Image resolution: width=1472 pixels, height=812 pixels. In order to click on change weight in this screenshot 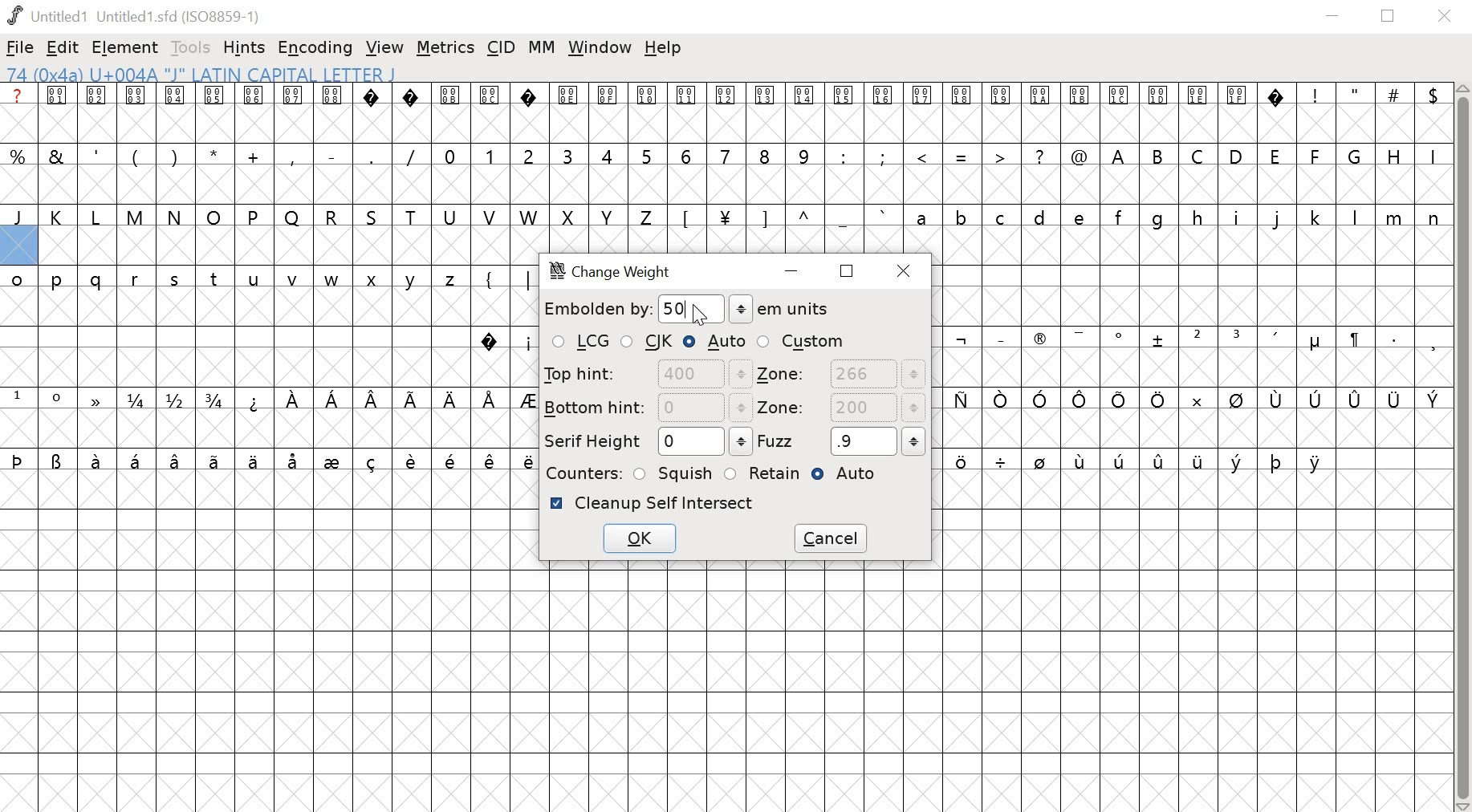, I will do `click(620, 273)`.